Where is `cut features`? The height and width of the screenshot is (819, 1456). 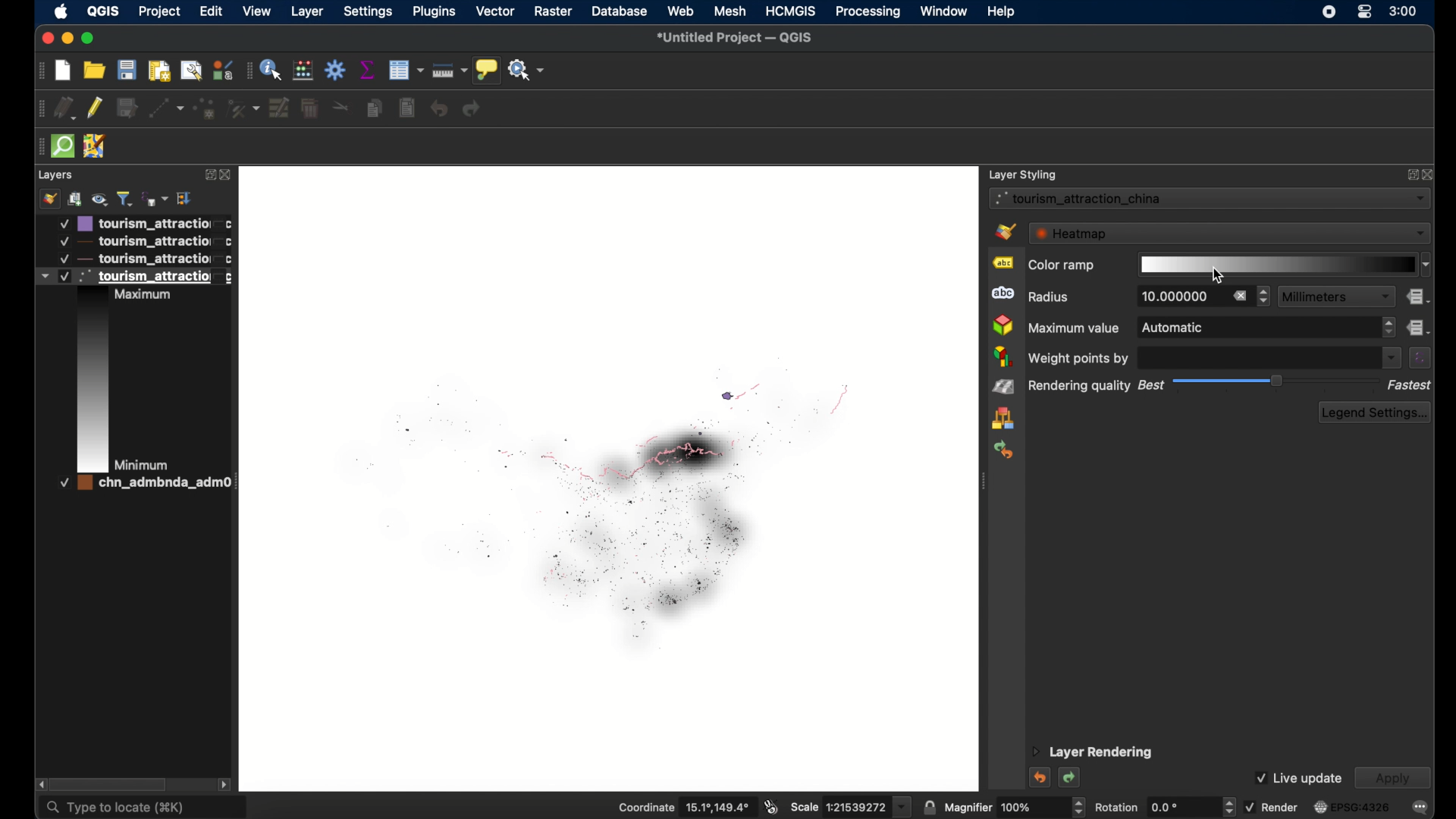 cut features is located at coordinates (340, 108).